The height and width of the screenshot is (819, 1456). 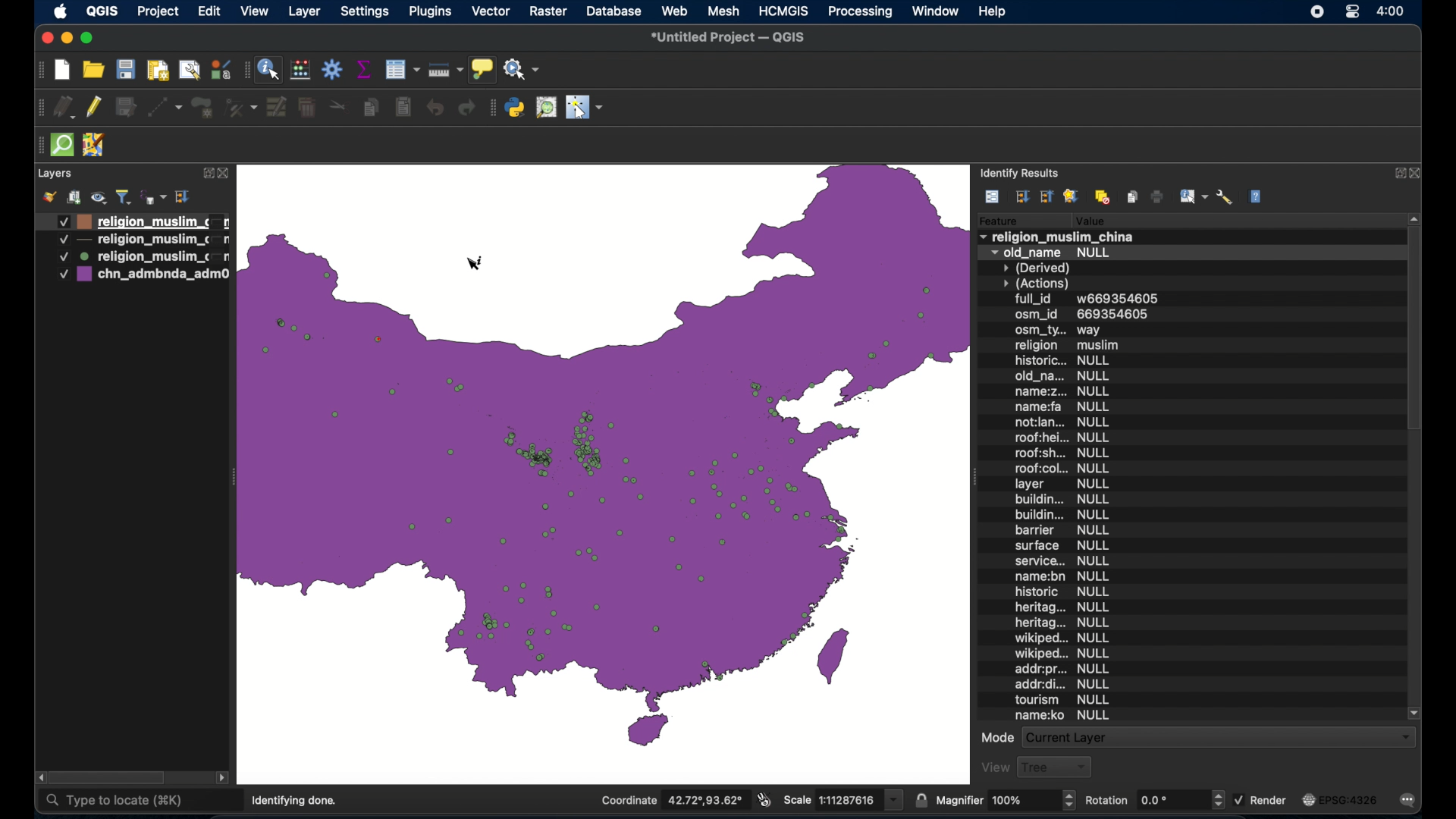 I want to click on scroll down arrow, so click(x=1413, y=714).